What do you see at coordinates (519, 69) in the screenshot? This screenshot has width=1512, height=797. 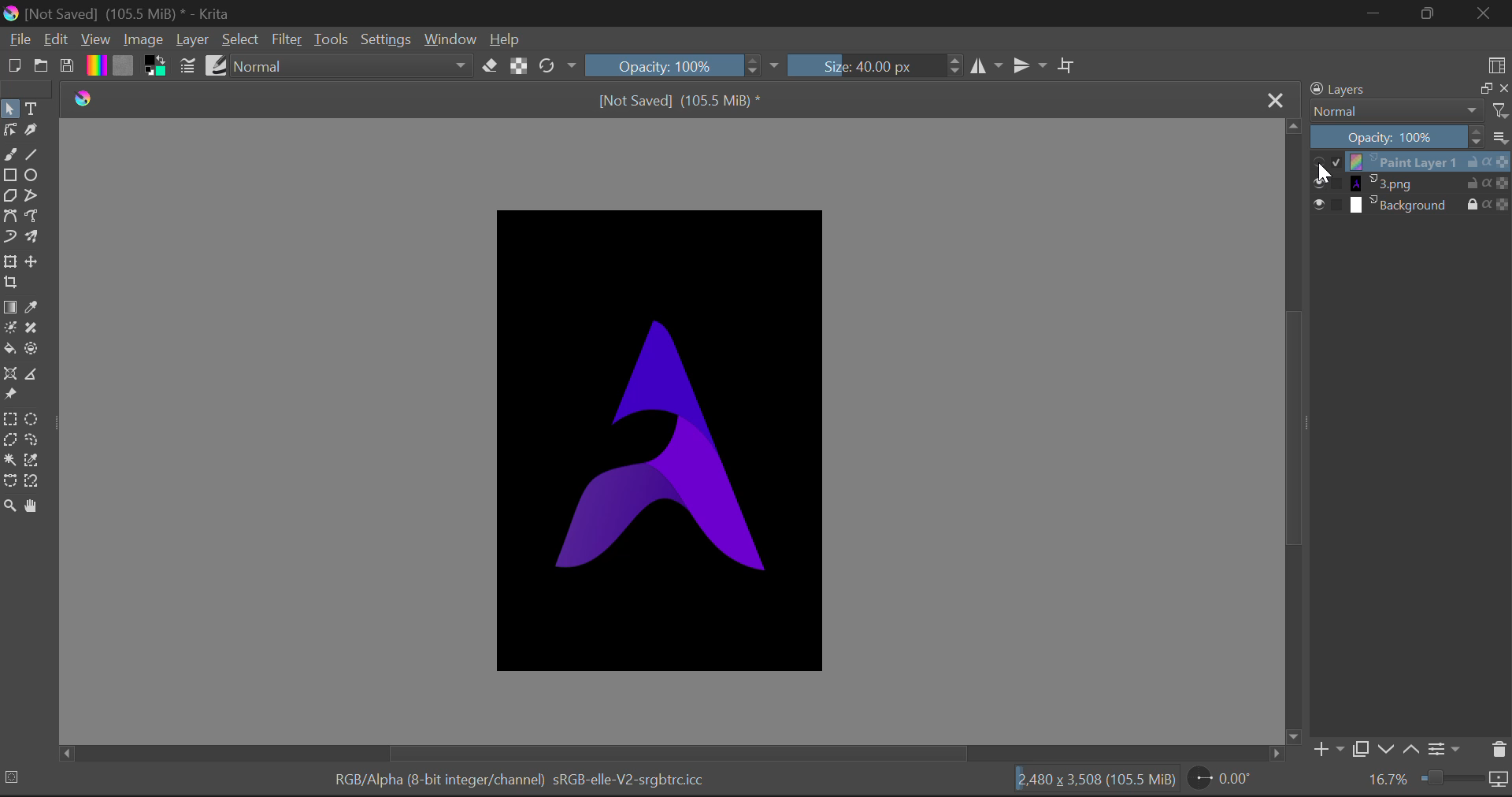 I see `Lock Alpha` at bounding box center [519, 69].